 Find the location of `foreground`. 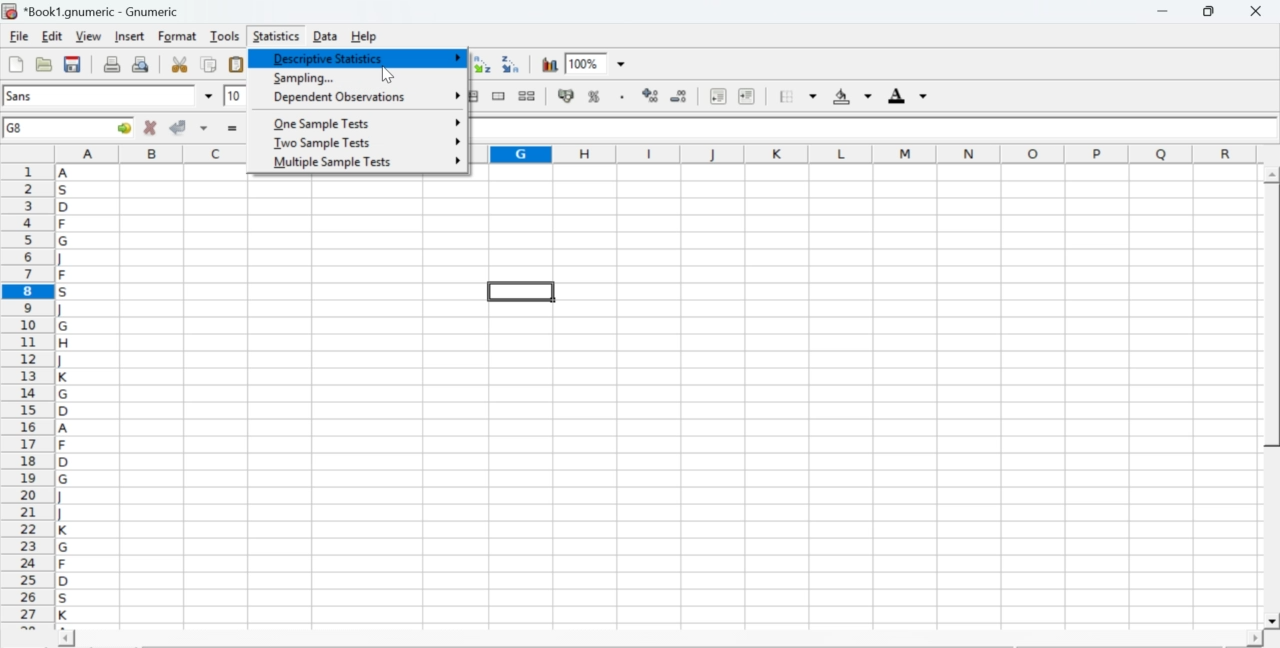

foreground is located at coordinates (908, 95).